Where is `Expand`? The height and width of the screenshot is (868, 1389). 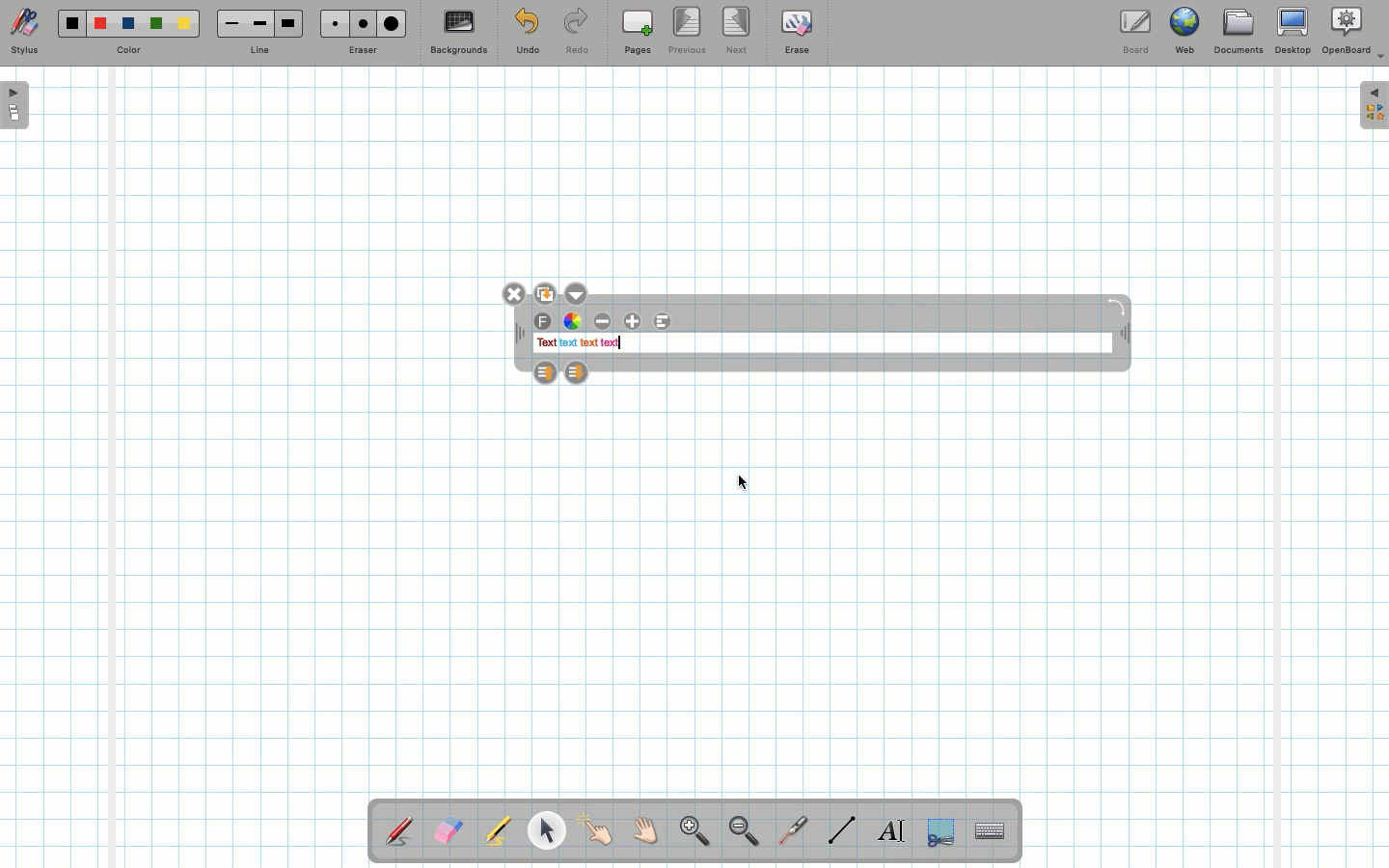
Expand is located at coordinates (1374, 105).